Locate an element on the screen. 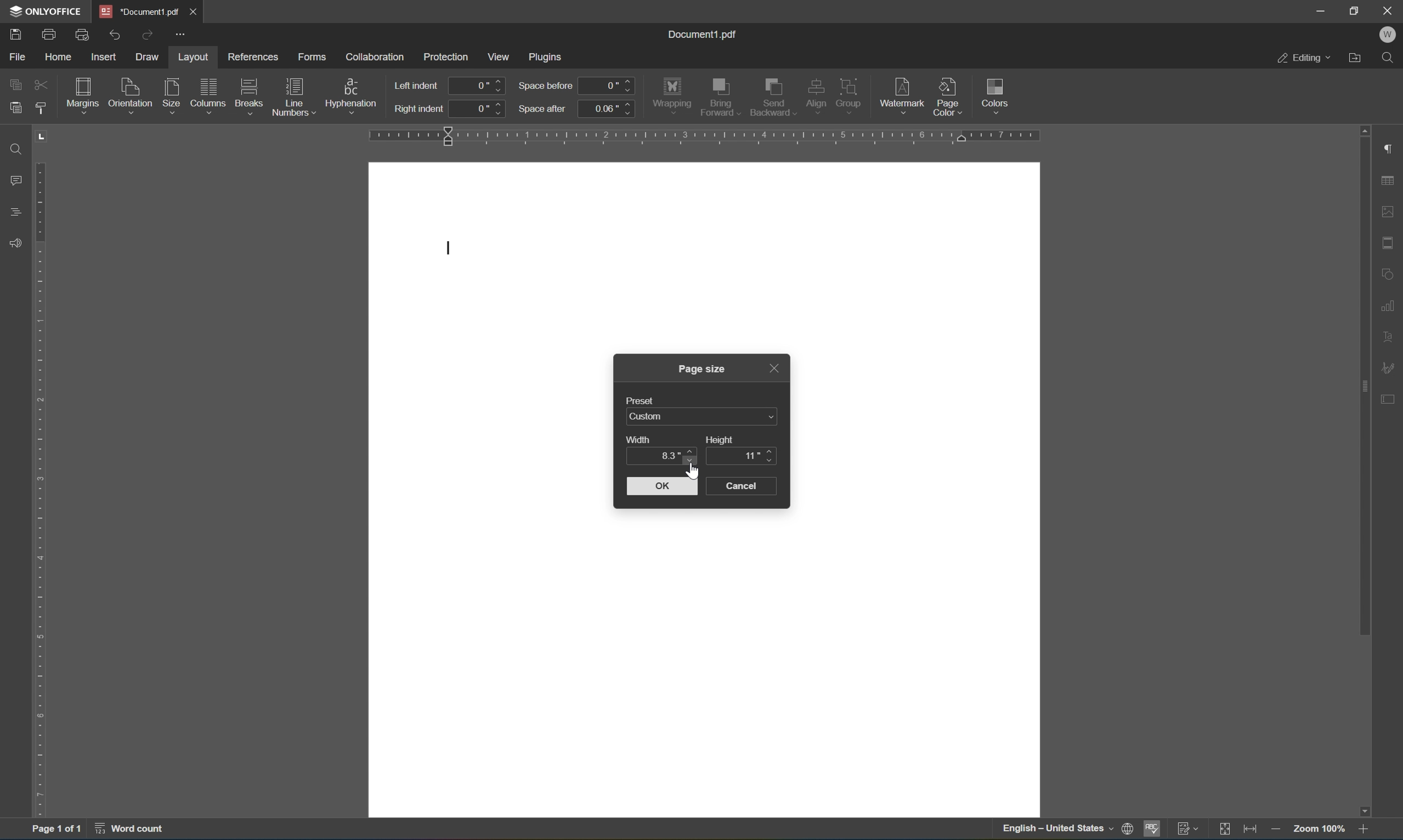  document1.pdf is located at coordinates (705, 34).